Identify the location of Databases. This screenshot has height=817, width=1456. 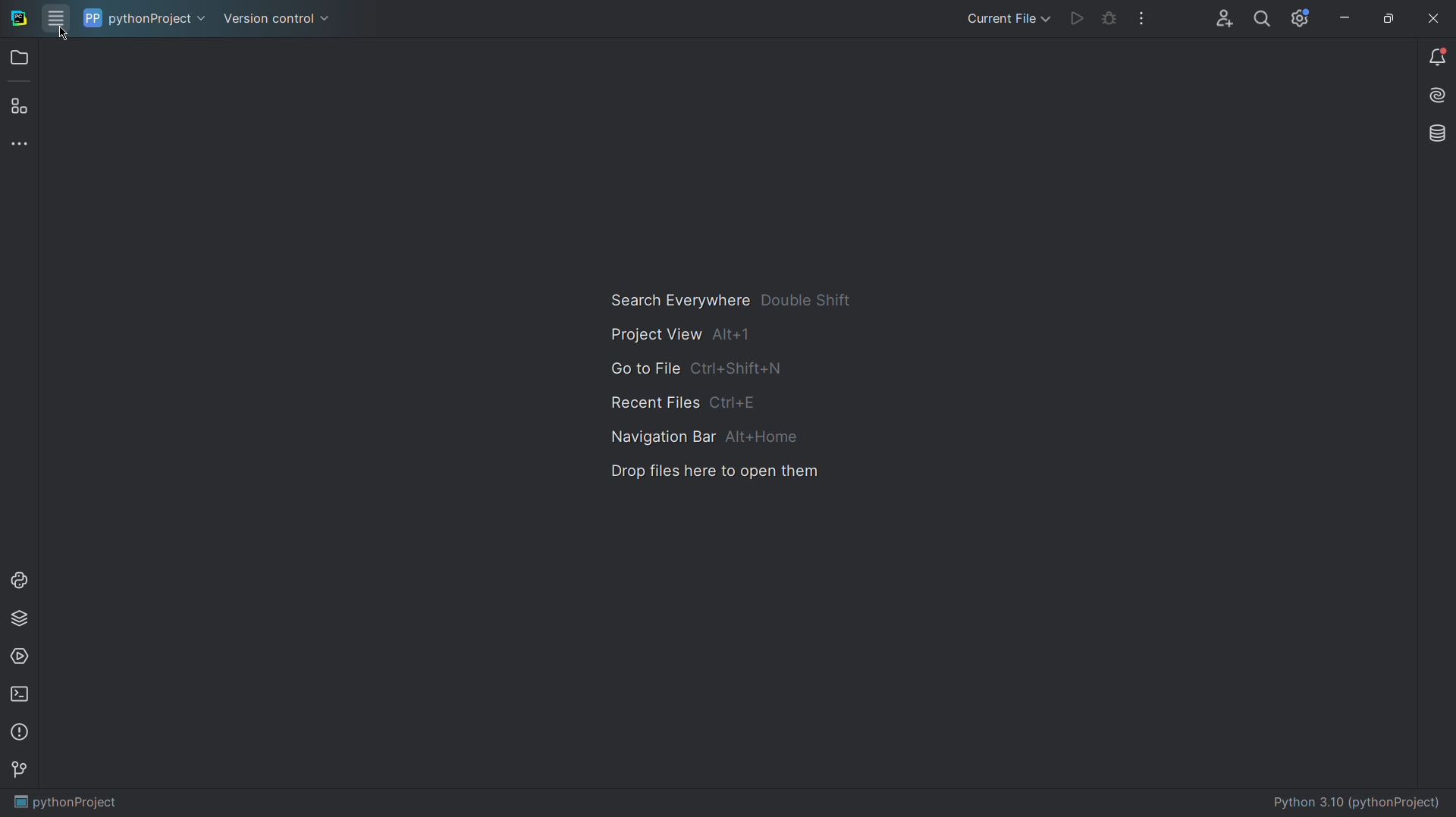
(1432, 136).